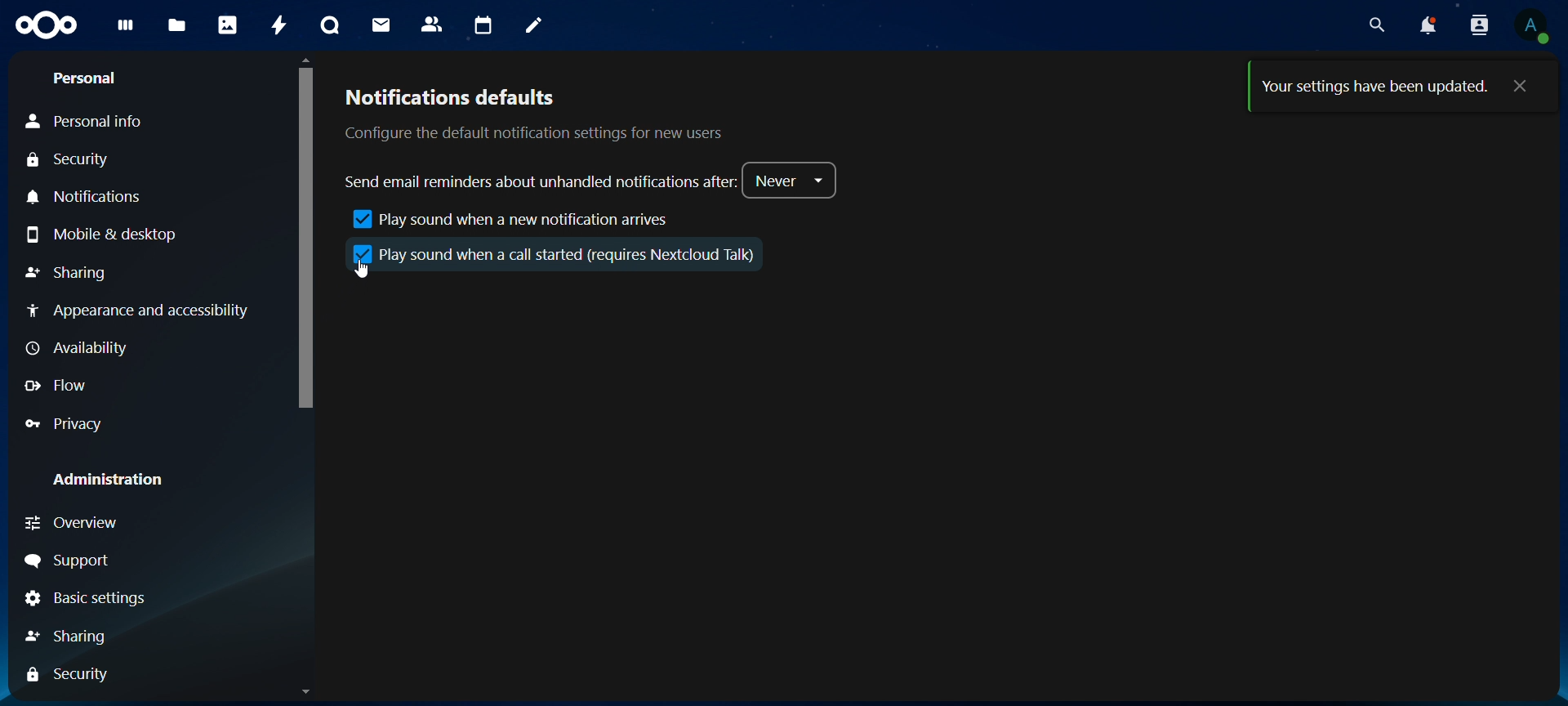  Describe the element at coordinates (101, 236) in the screenshot. I see `Mobile & desktop` at that location.